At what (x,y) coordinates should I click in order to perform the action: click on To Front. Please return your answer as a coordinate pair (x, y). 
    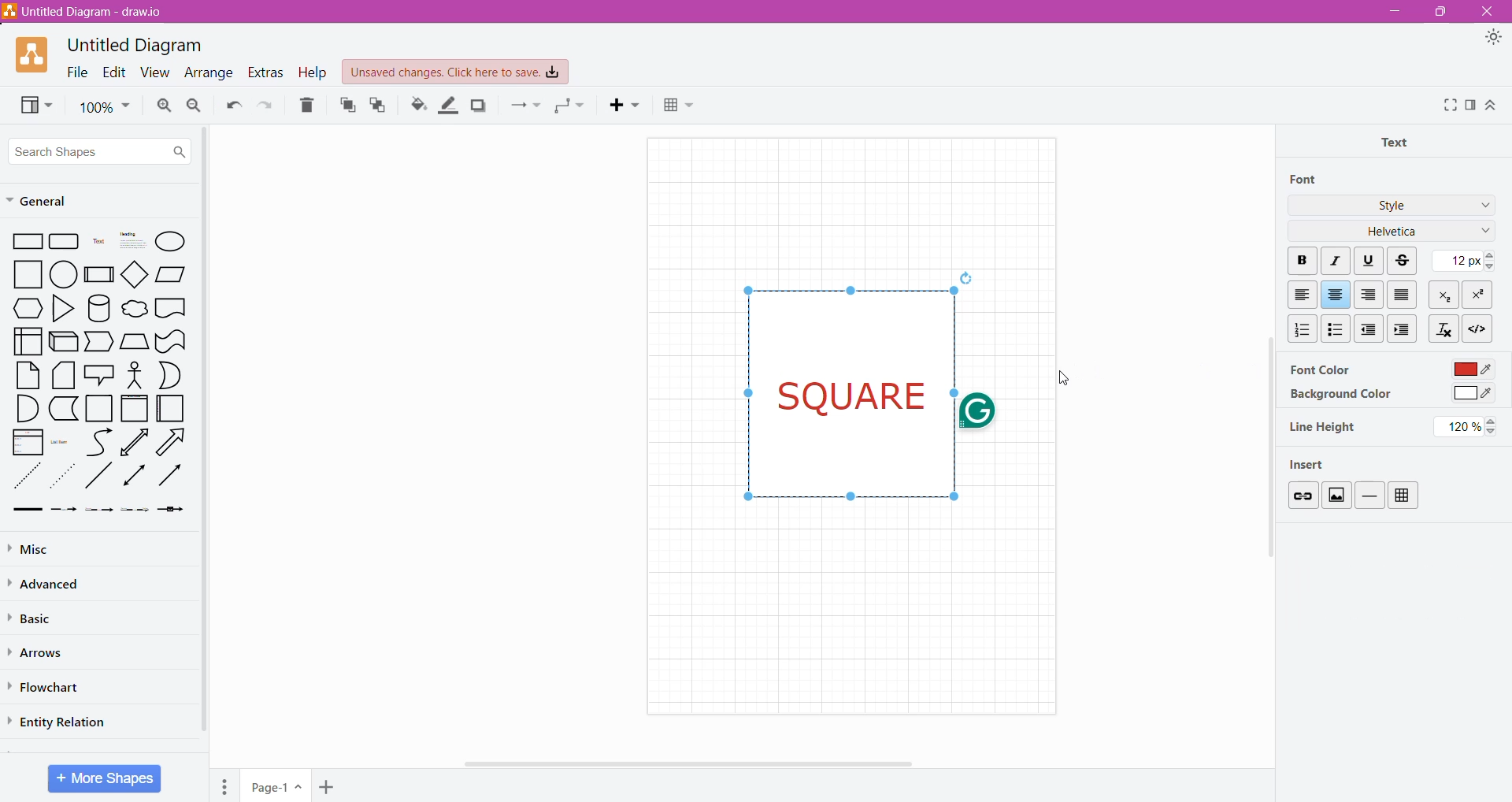
    Looking at the image, I should click on (349, 107).